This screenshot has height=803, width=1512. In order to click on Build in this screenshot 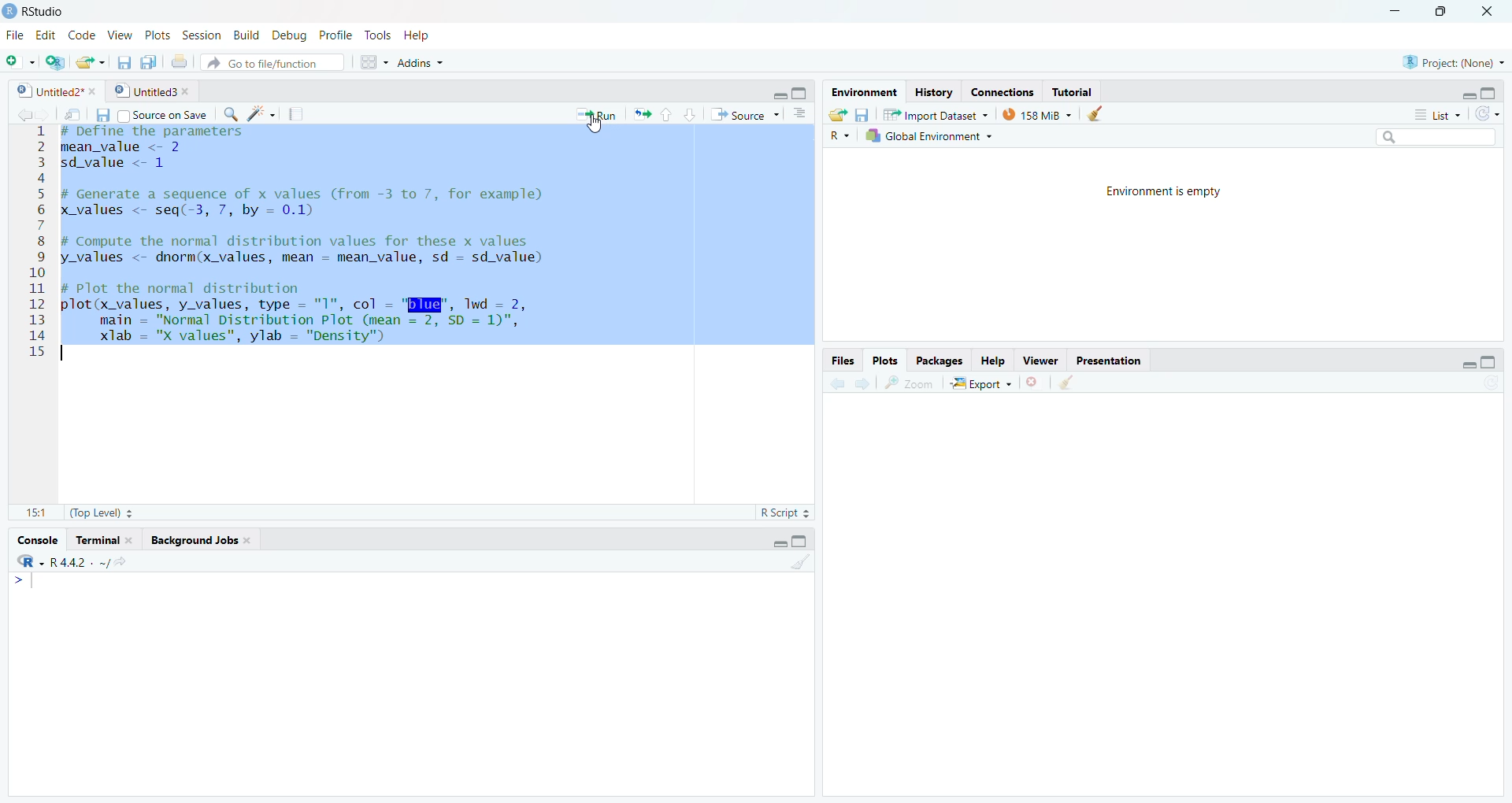, I will do `click(244, 35)`.